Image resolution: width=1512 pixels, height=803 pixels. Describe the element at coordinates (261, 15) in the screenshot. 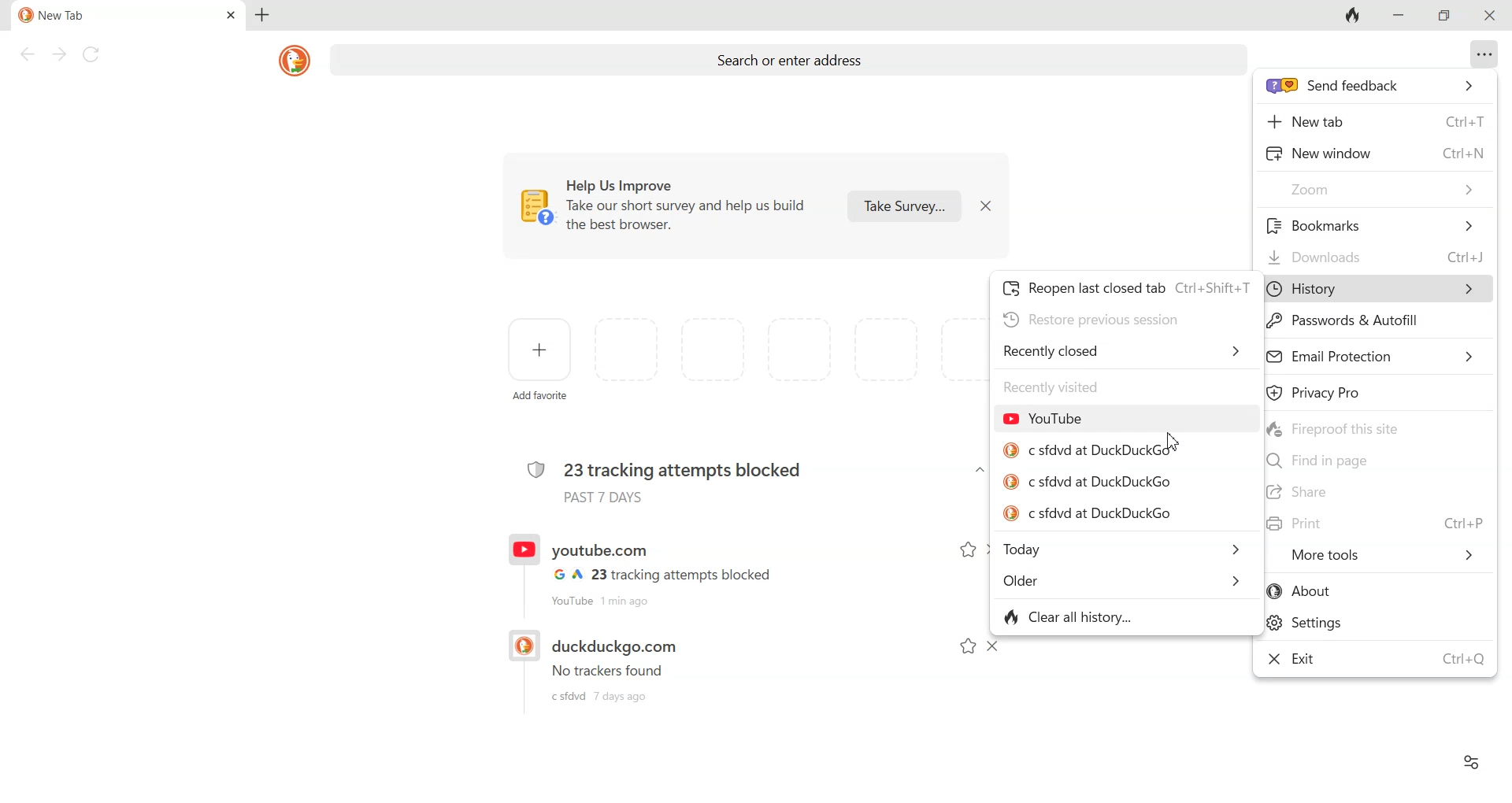

I see `Add new tab` at that location.